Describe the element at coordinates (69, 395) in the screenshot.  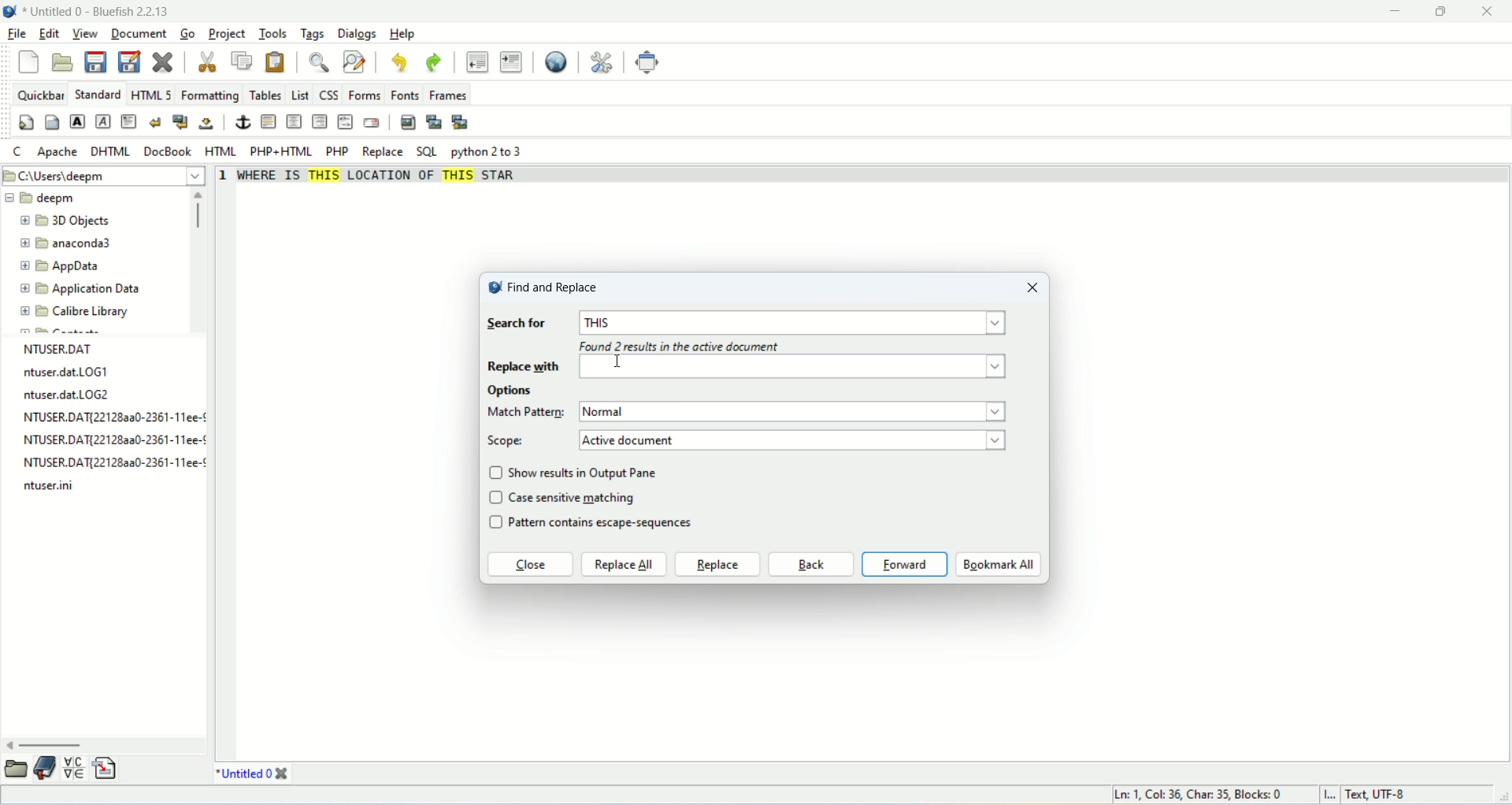
I see `ntuser.dat LOG2` at that location.